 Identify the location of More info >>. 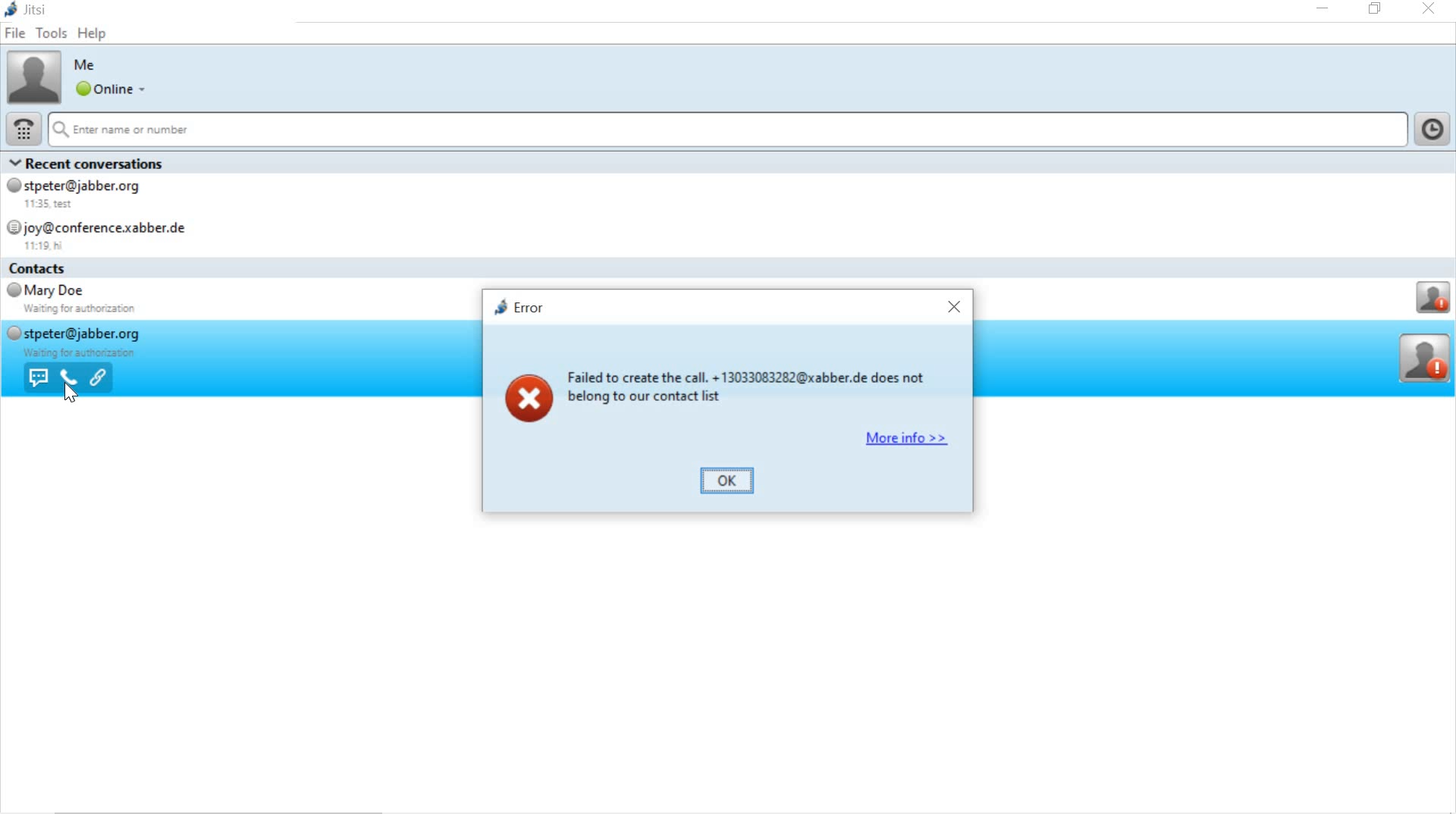
(903, 438).